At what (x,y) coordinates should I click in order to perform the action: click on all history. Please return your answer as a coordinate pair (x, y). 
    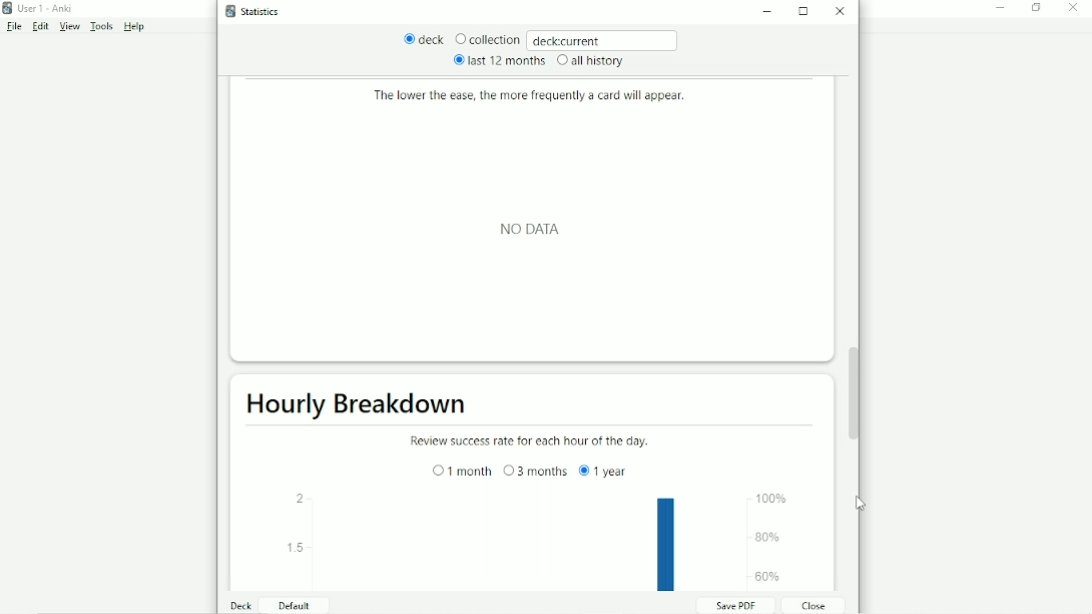
    Looking at the image, I should click on (589, 61).